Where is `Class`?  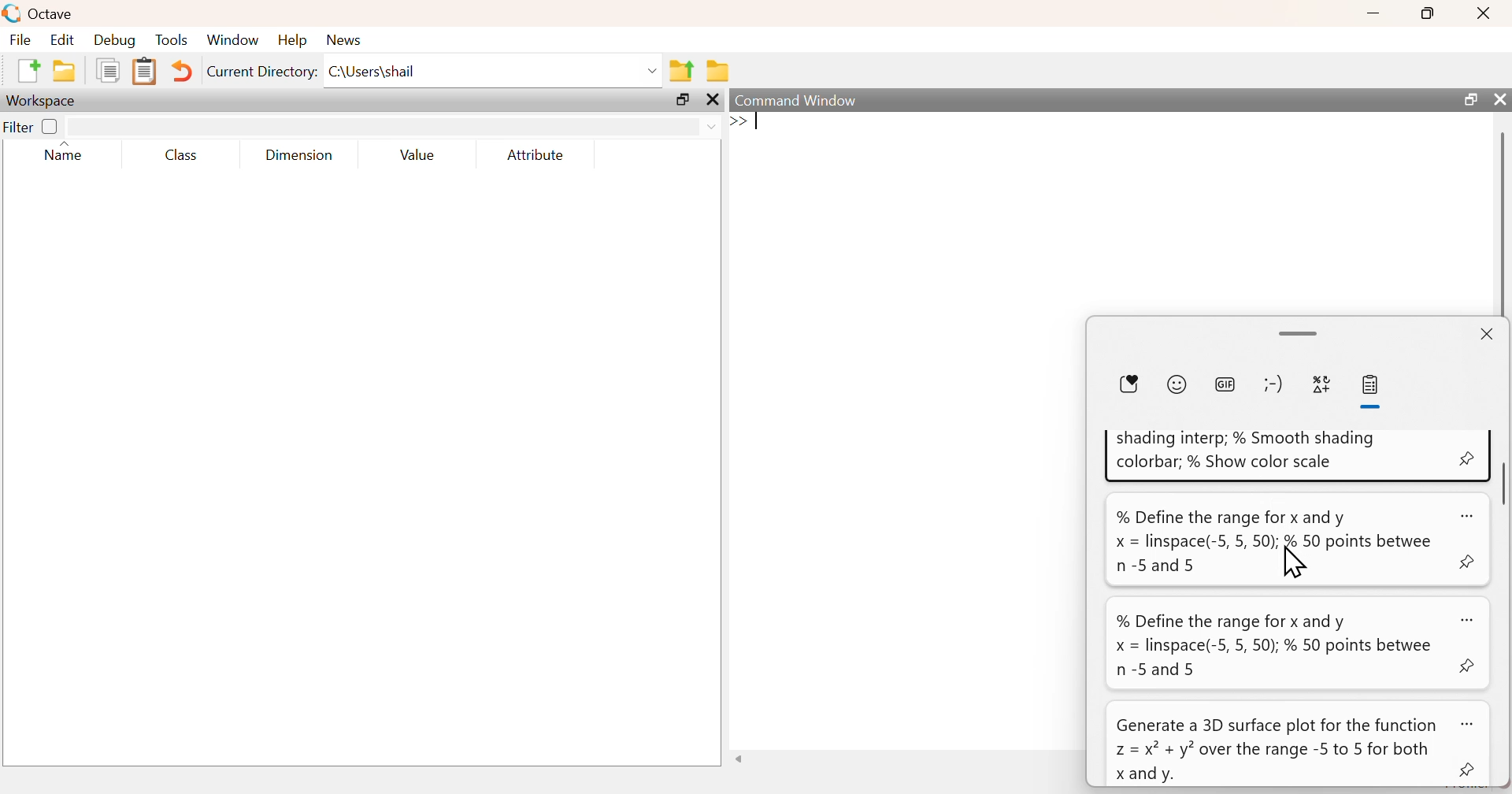 Class is located at coordinates (181, 154).